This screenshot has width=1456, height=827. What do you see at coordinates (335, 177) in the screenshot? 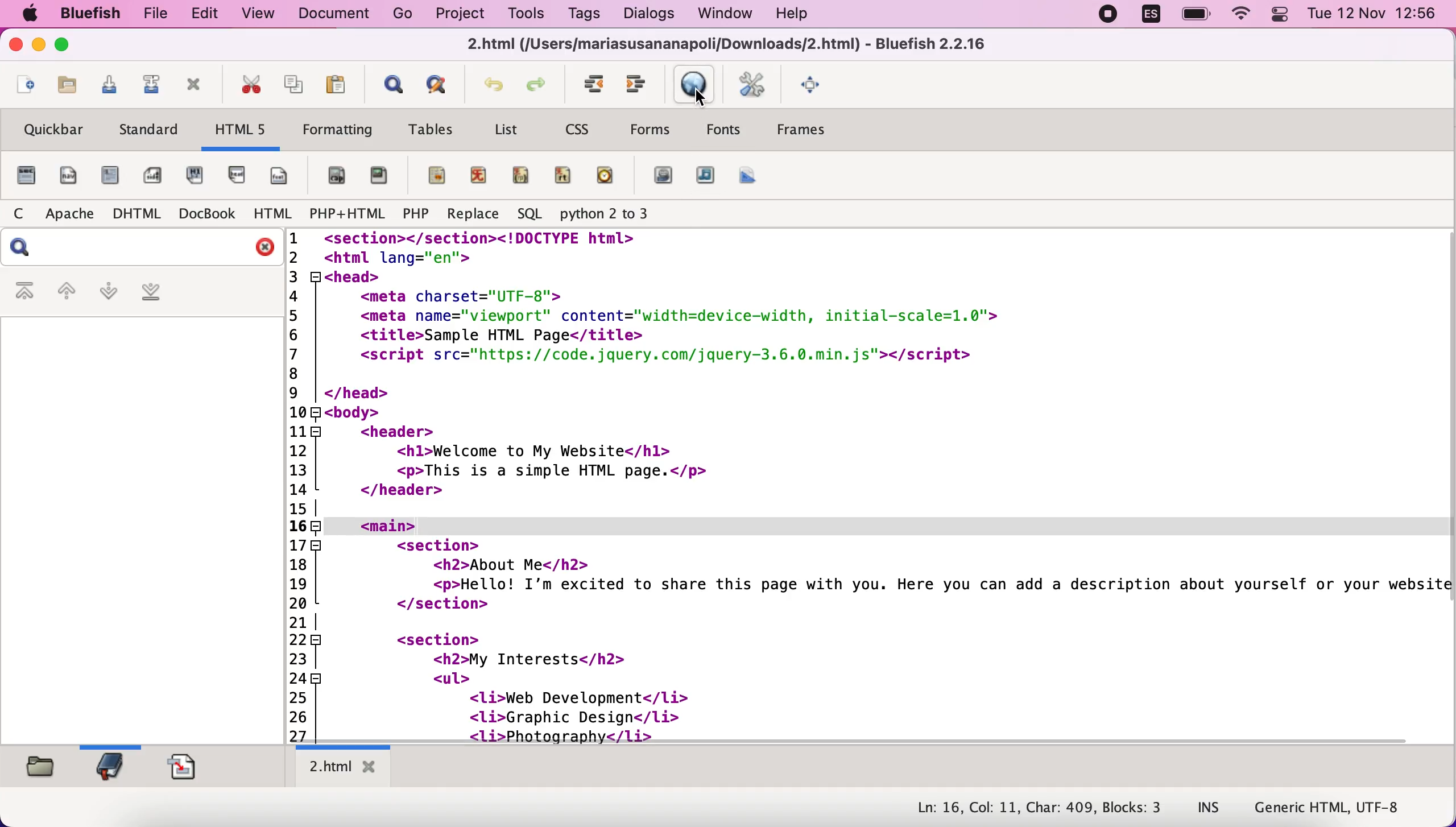
I see `non breaking space` at bounding box center [335, 177].